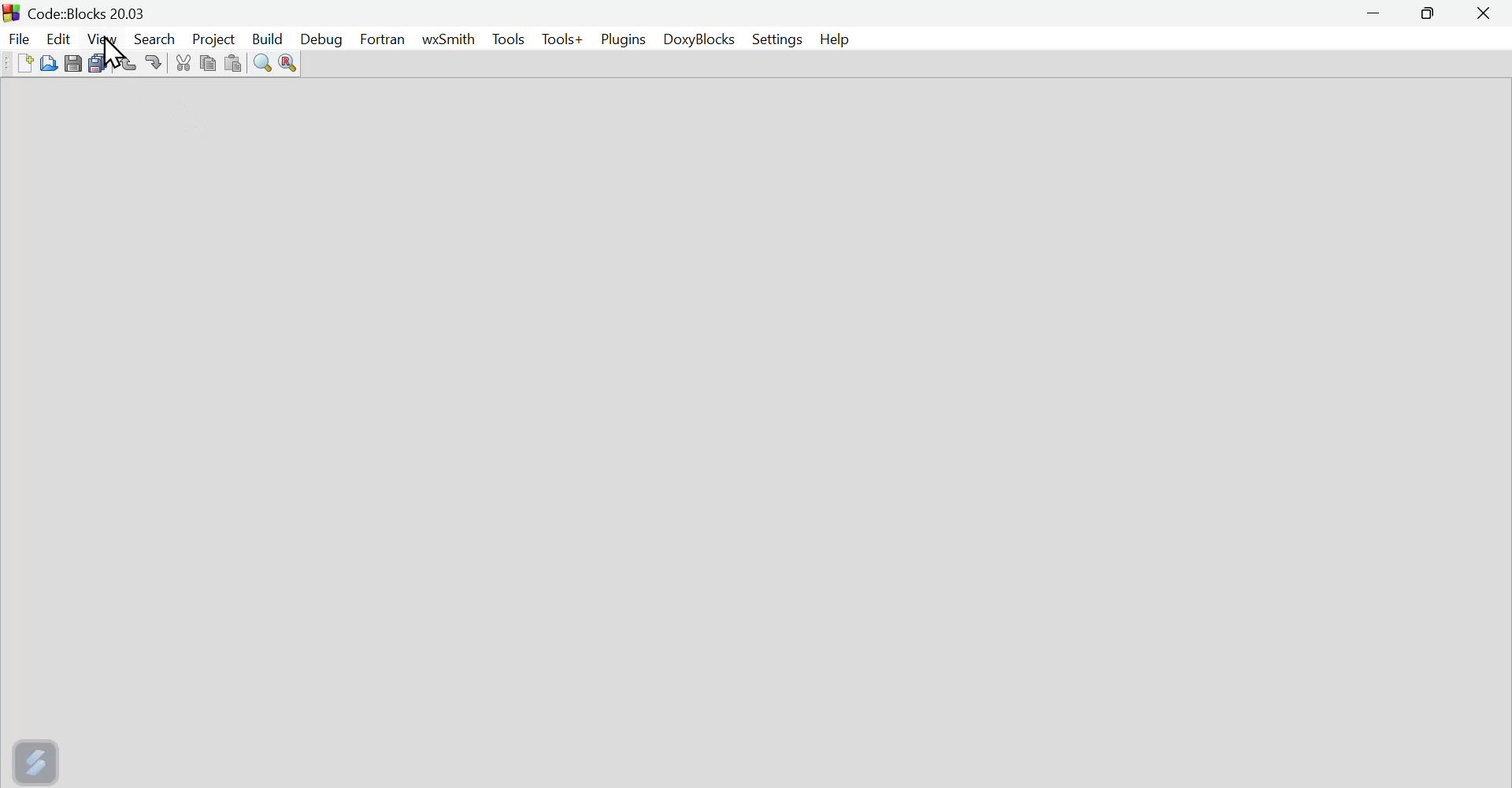 This screenshot has width=1512, height=788. Describe the element at coordinates (699, 41) in the screenshot. I see `Doxyblocks` at that location.